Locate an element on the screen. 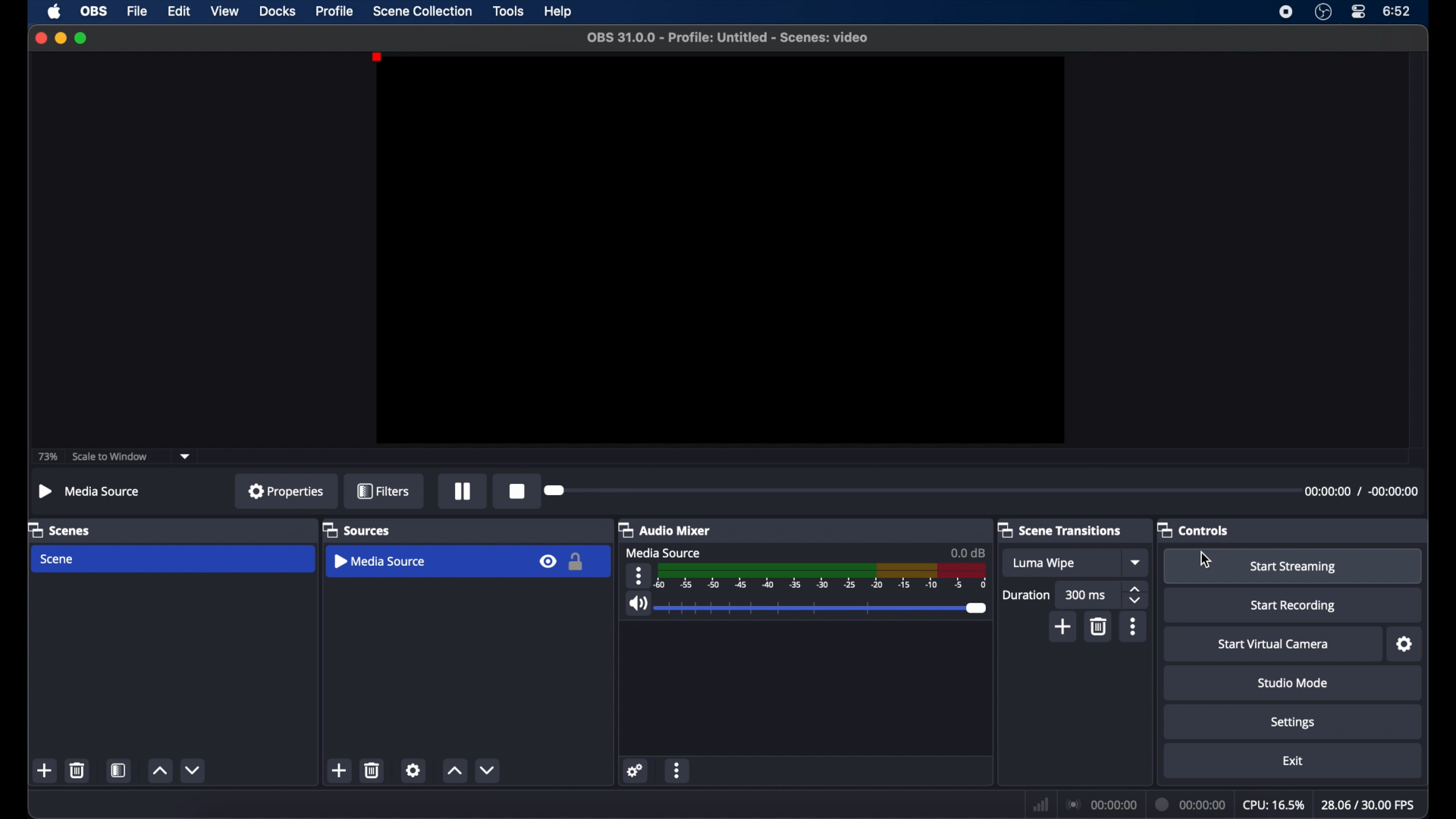 This screenshot has height=819, width=1456. more options is located at coordinates (640, 576).